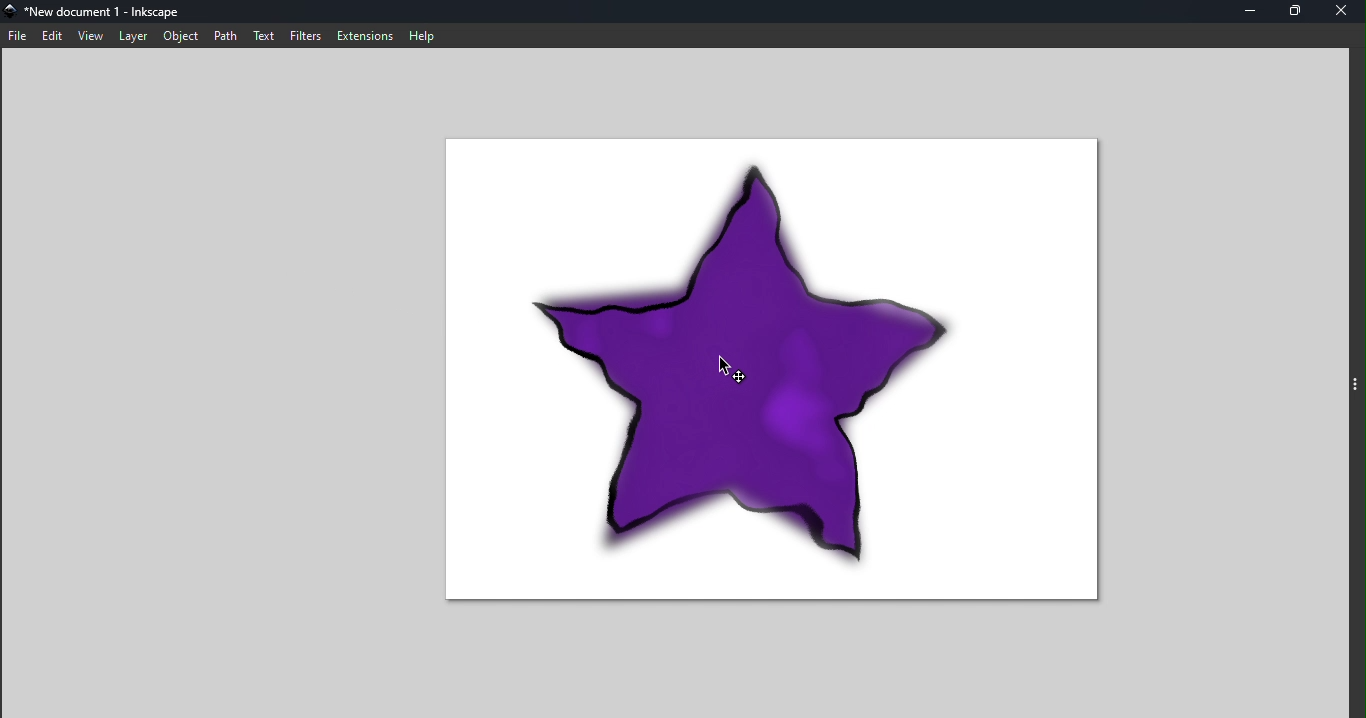 Image resolution: width=1366 pixels, height=718 pixels. What do you see at coordinates (1357, 388) in the screenshot?
I see `toggle command panel` at bounding box center [1357, 388].